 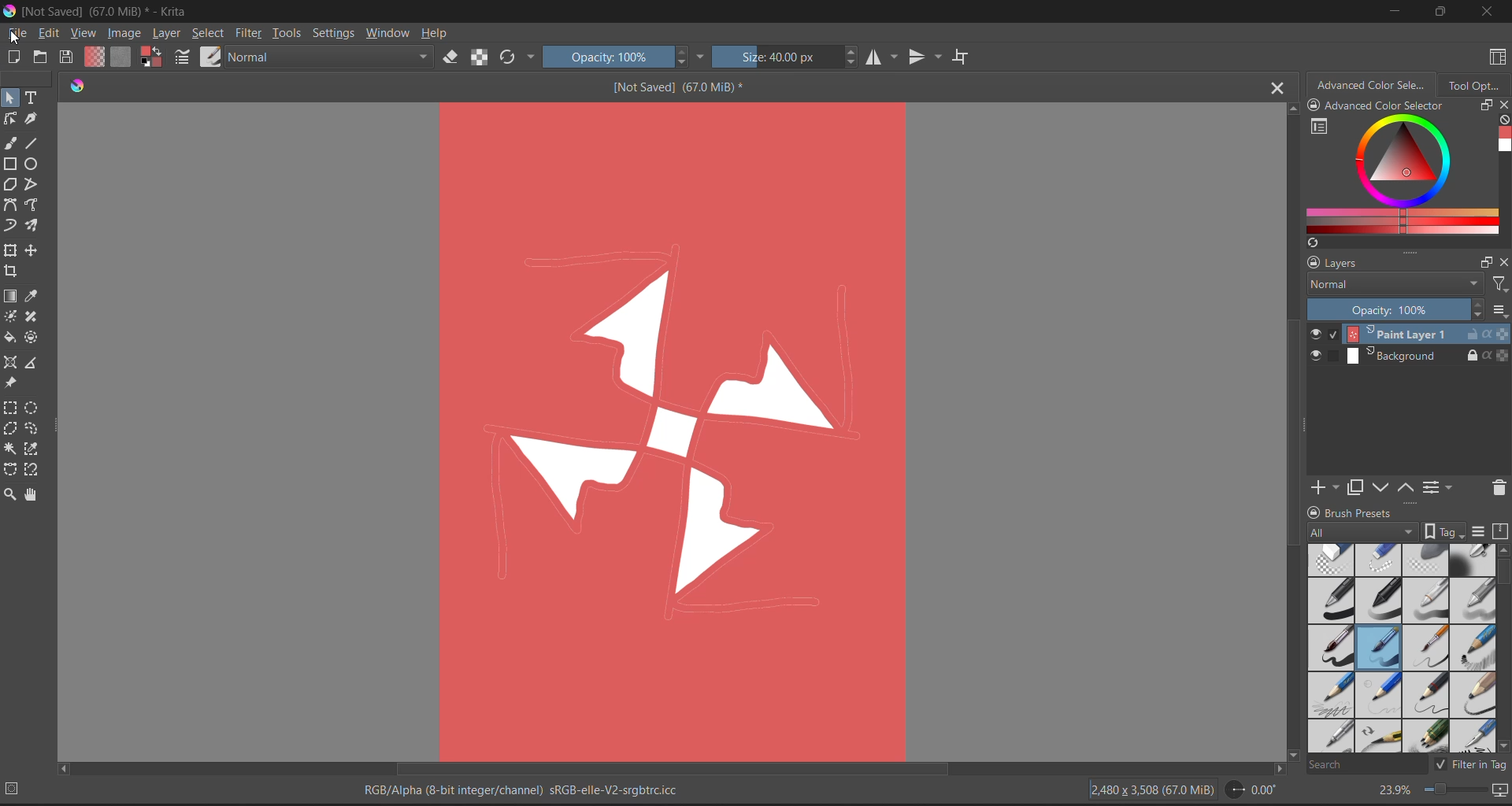 What do you see at coordinates (9, 97) in the screenshot?
I see `tools` at bounding box center [9, 97].